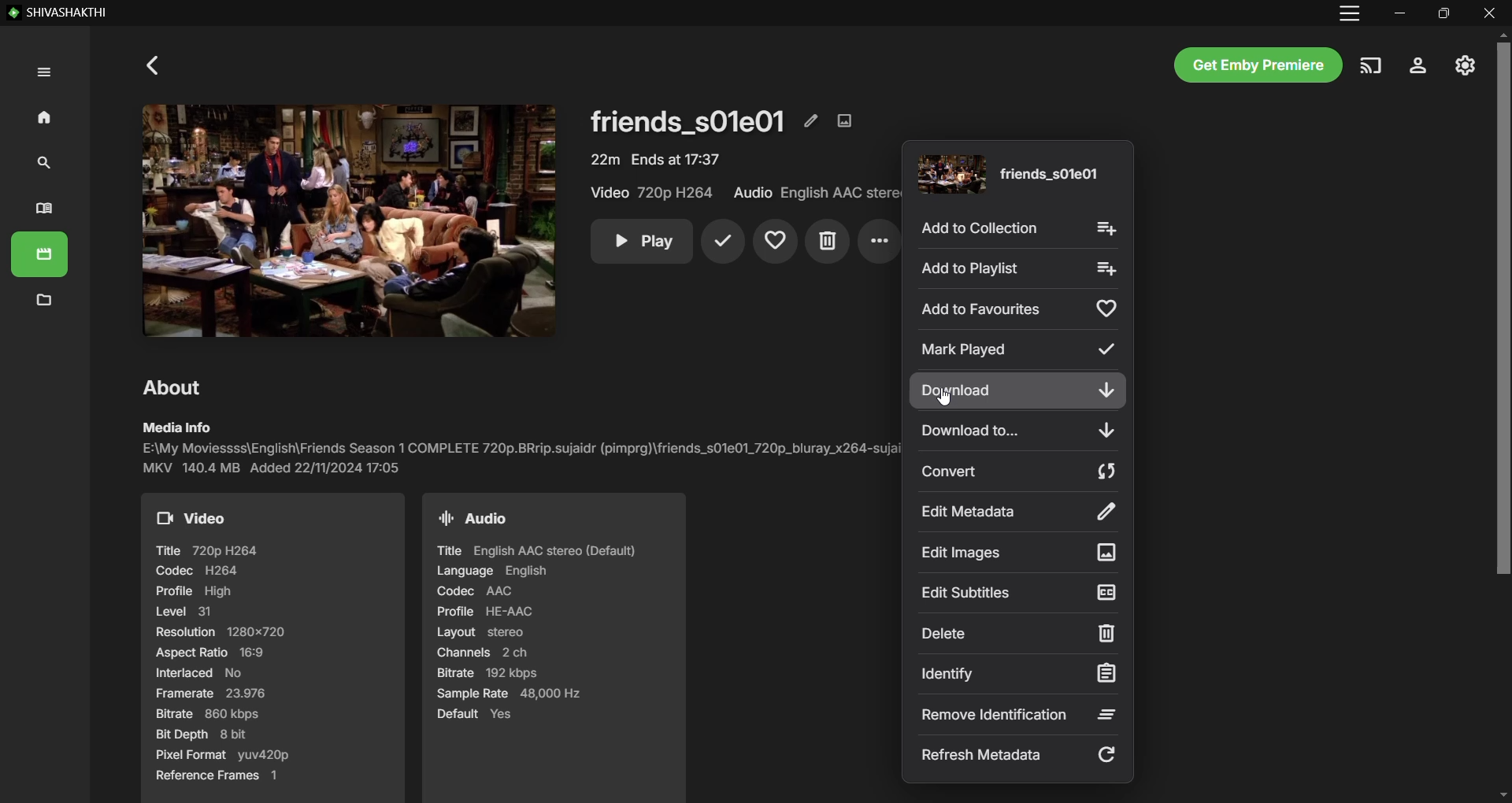 This screenshot has width=1512, height=803. Describe the element at coordinates (1258, 65) in the screenshot. I see `Get Emby Premiere` at that location.